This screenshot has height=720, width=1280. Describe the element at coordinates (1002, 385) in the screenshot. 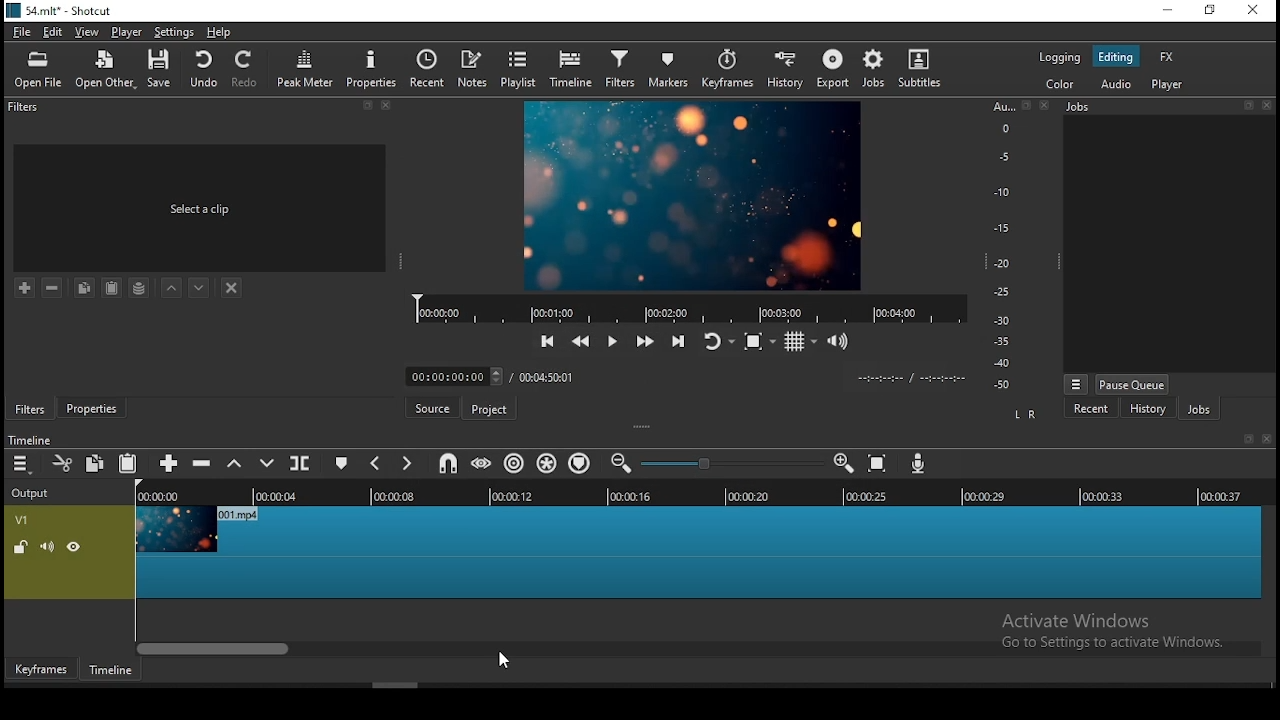

I see `-50` at that location.